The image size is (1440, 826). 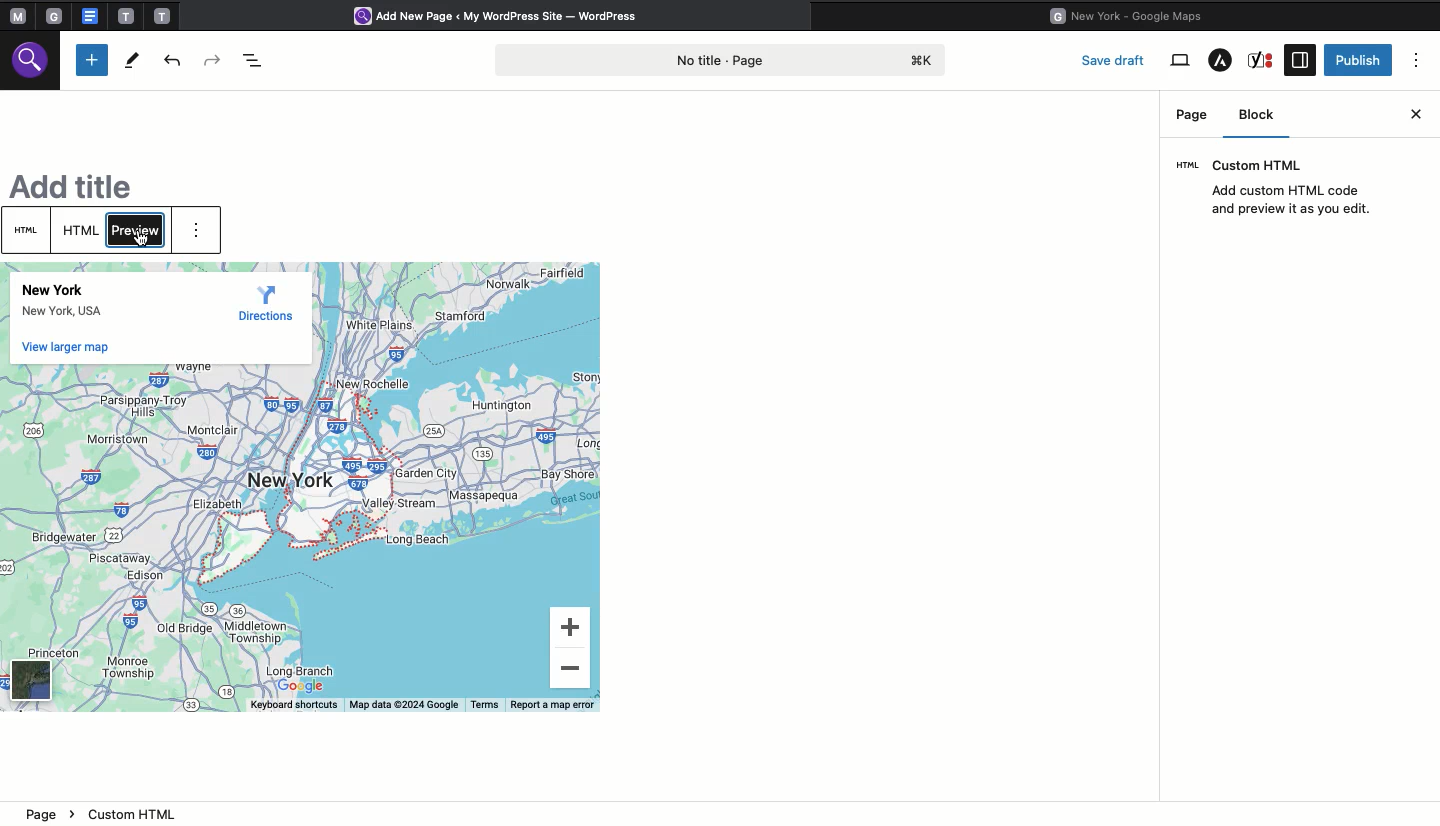 What do you see at coordinates (131, 60) in the screenshot?
I see `Tools` at bounding box center [131, 60].